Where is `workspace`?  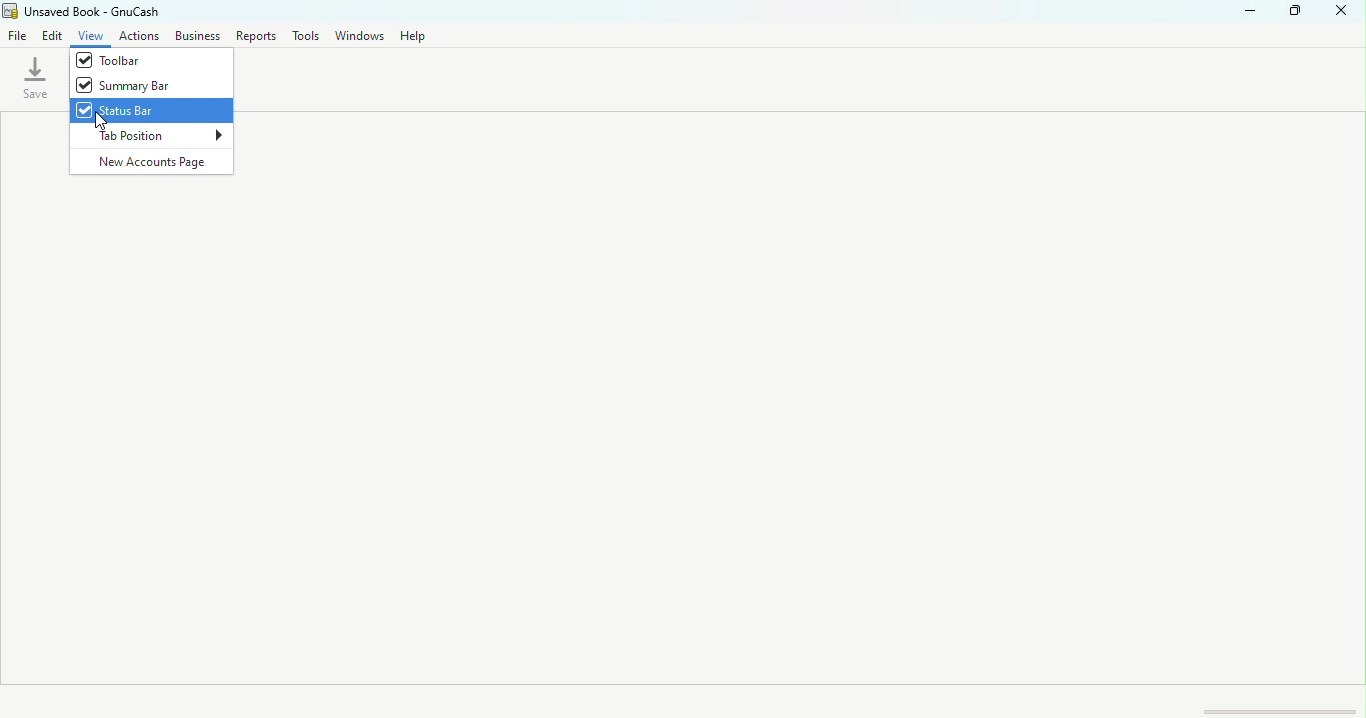
workspace is located at coordinates (679, 420).